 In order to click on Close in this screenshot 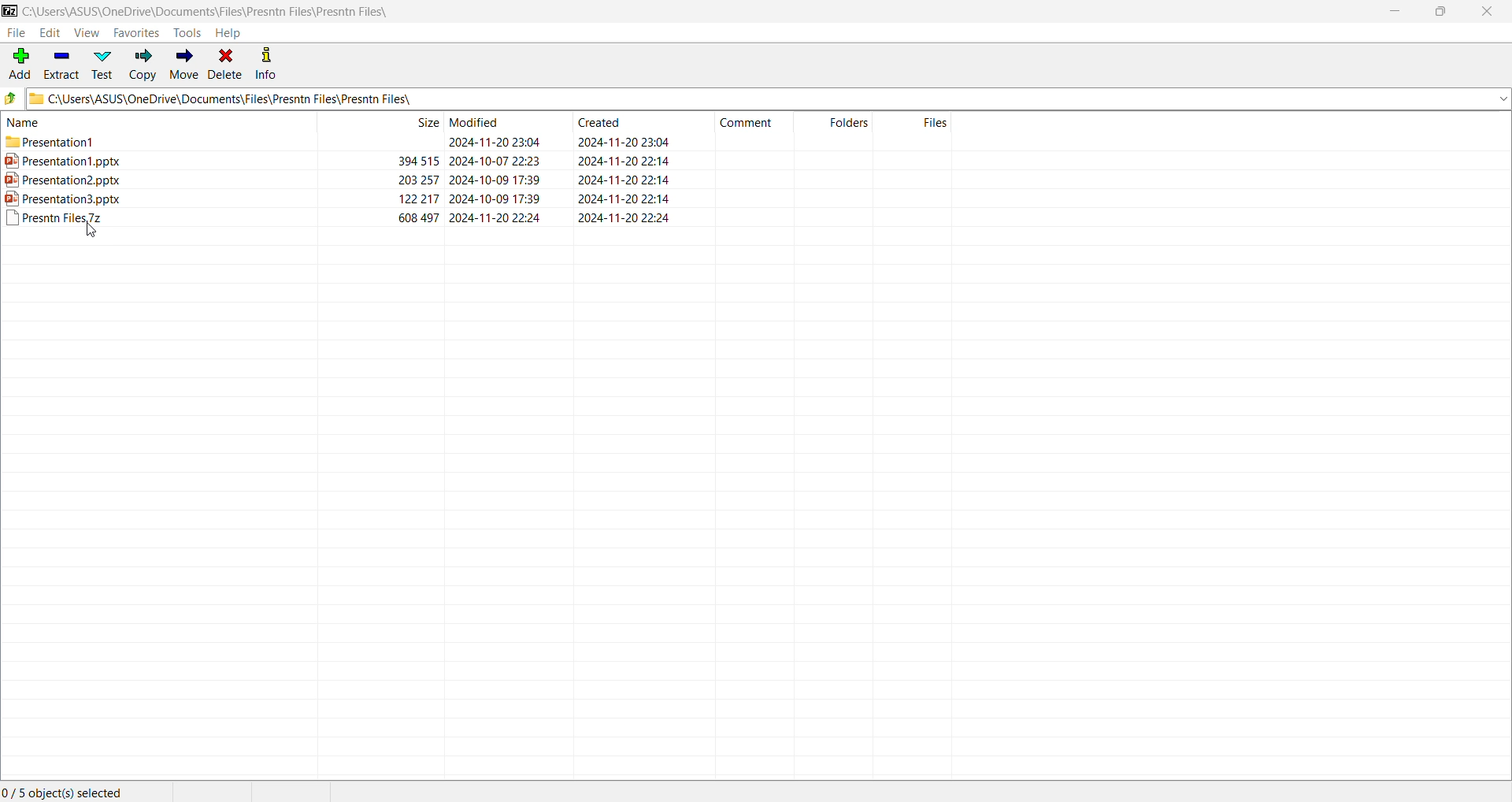, I will do `click(1487, 12)`.